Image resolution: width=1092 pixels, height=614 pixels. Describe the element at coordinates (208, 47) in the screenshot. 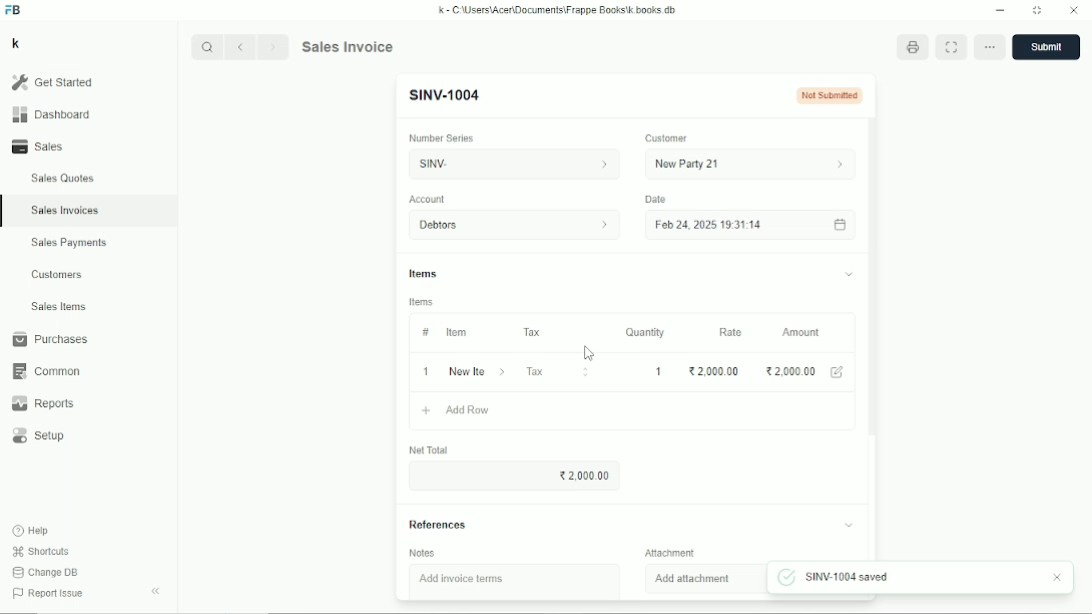

I see `Search` at that location.